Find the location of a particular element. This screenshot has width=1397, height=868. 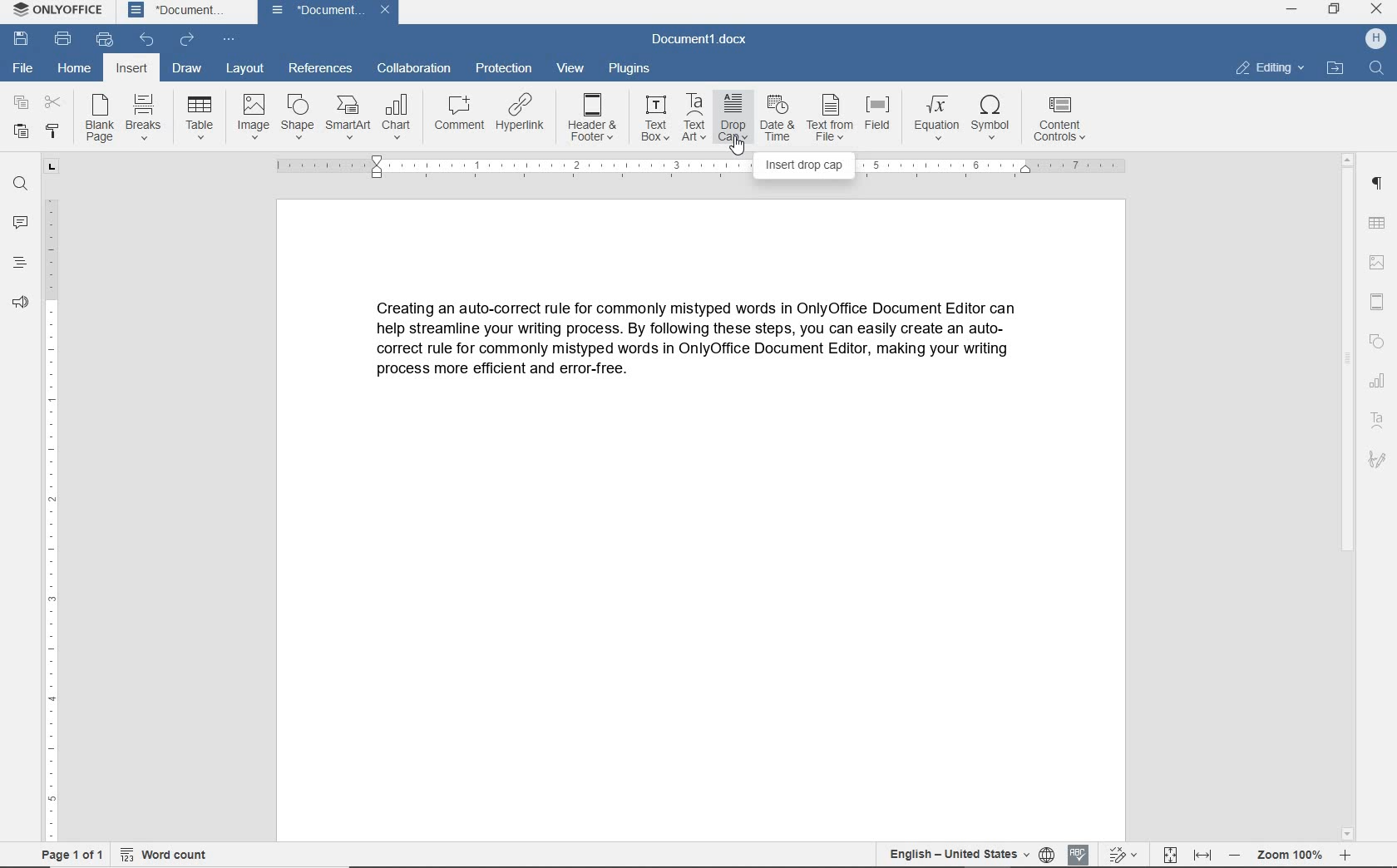

save is located at coordinates (22, 39).